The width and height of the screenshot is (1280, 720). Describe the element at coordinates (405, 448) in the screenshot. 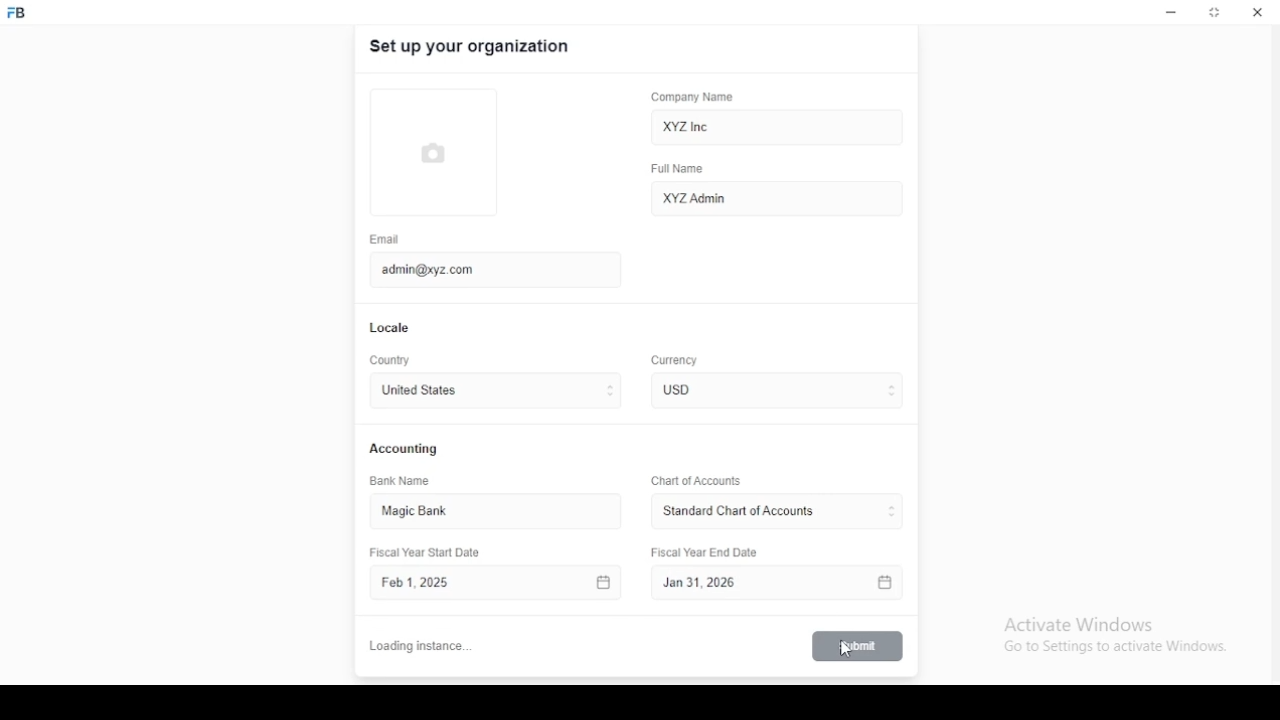

I see `accounting` at that location.